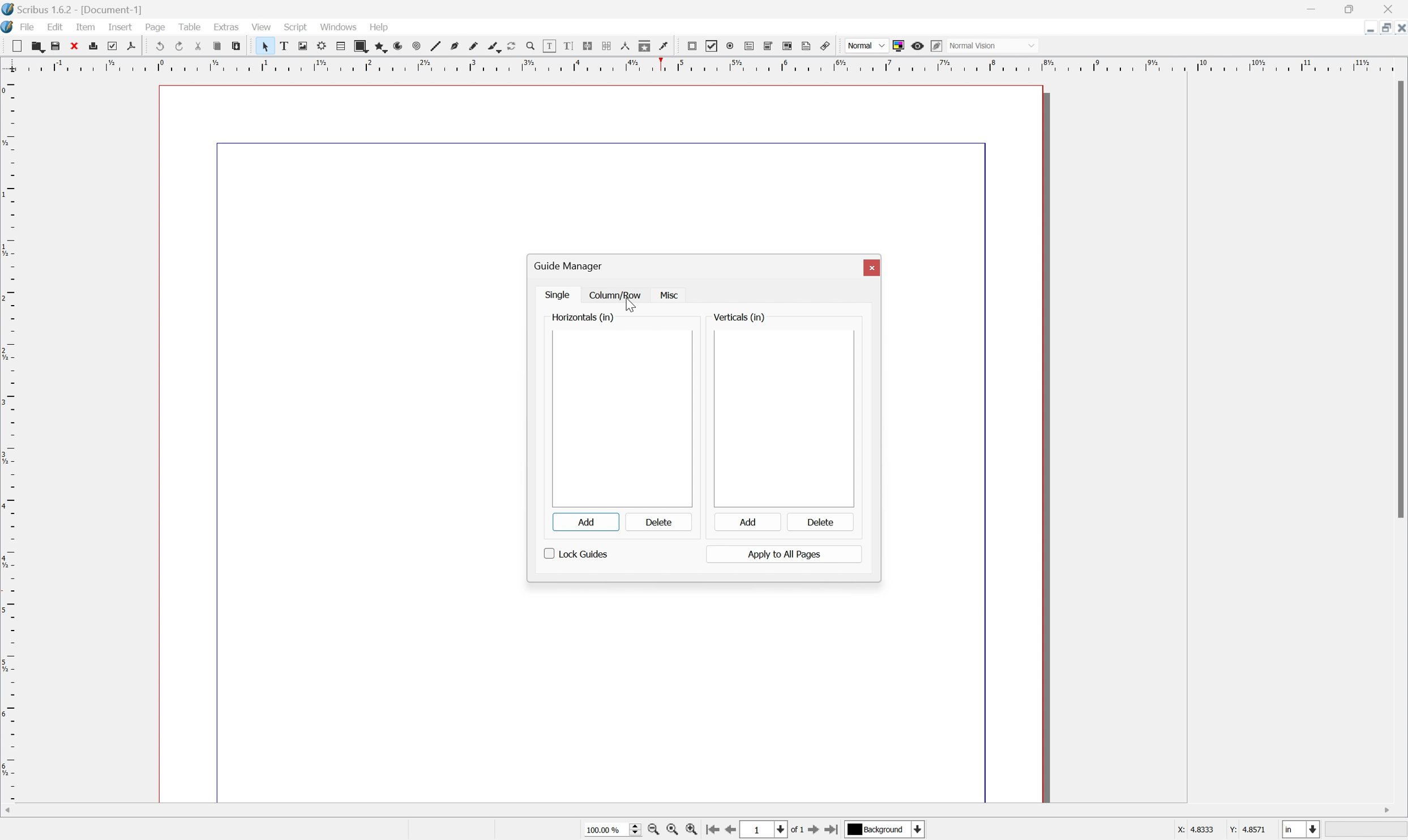 The width and height of the screenshot is (1408, 840). What do you see at coordinates (1395, 7) in the screenshot?
I see `close` at bounding box center [1395, 7].